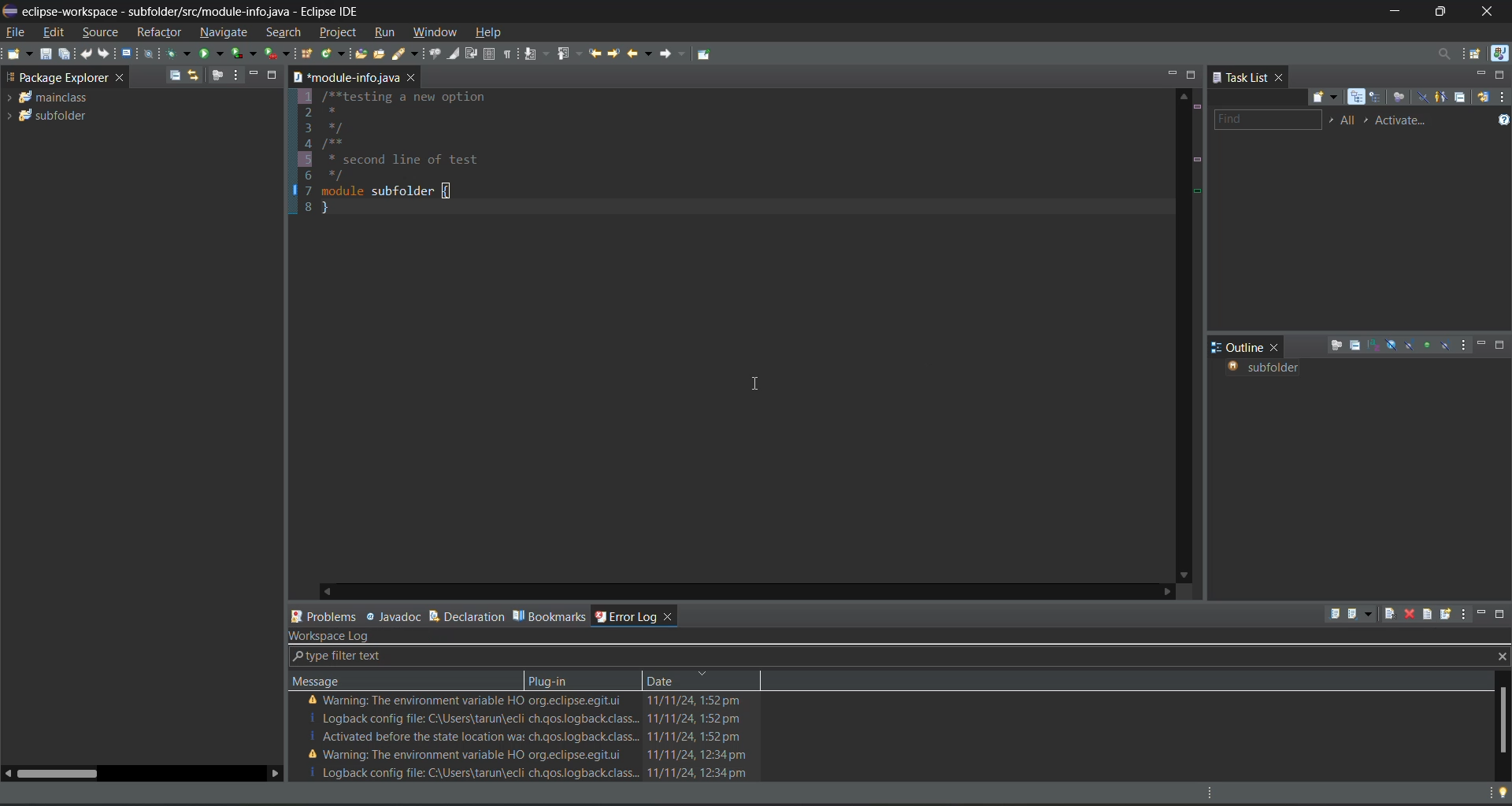 This screenshot has height=806, width=1512. Describe the element at coordinates (360, 54) in the screenshot. I see `open type` at that location.